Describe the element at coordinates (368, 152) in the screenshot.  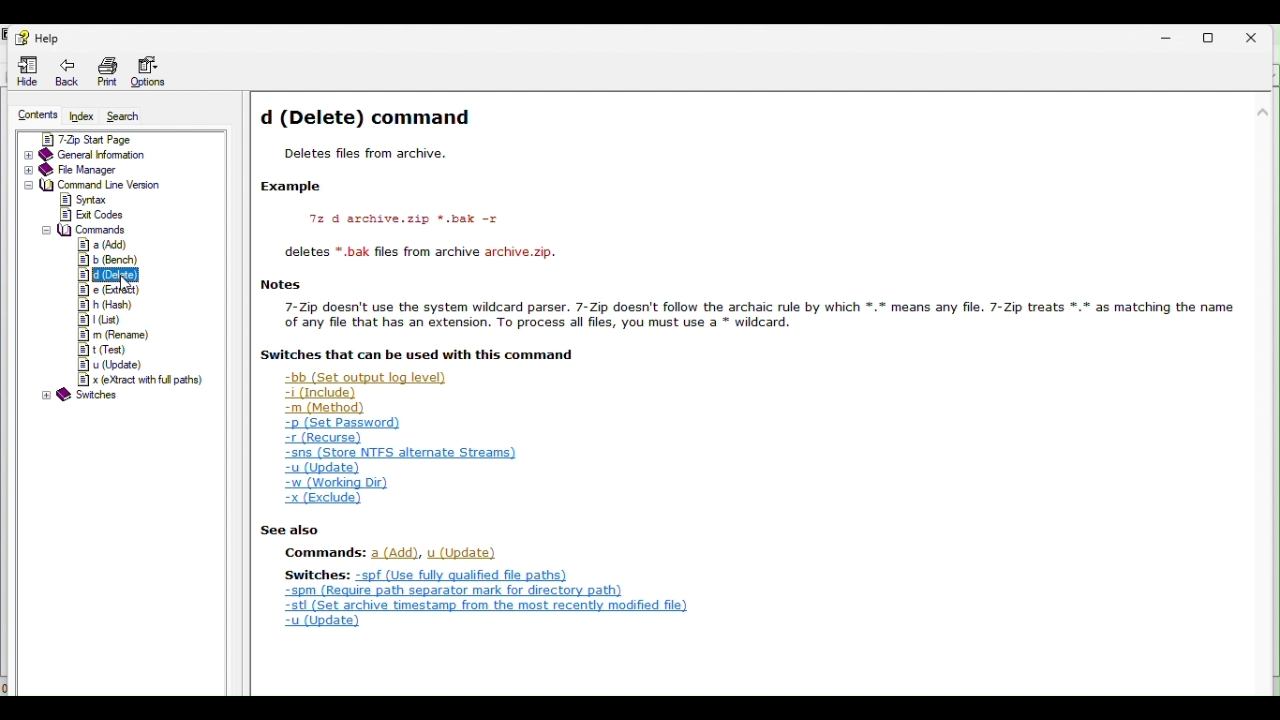
I see `Deletes files from archive.` at that location.